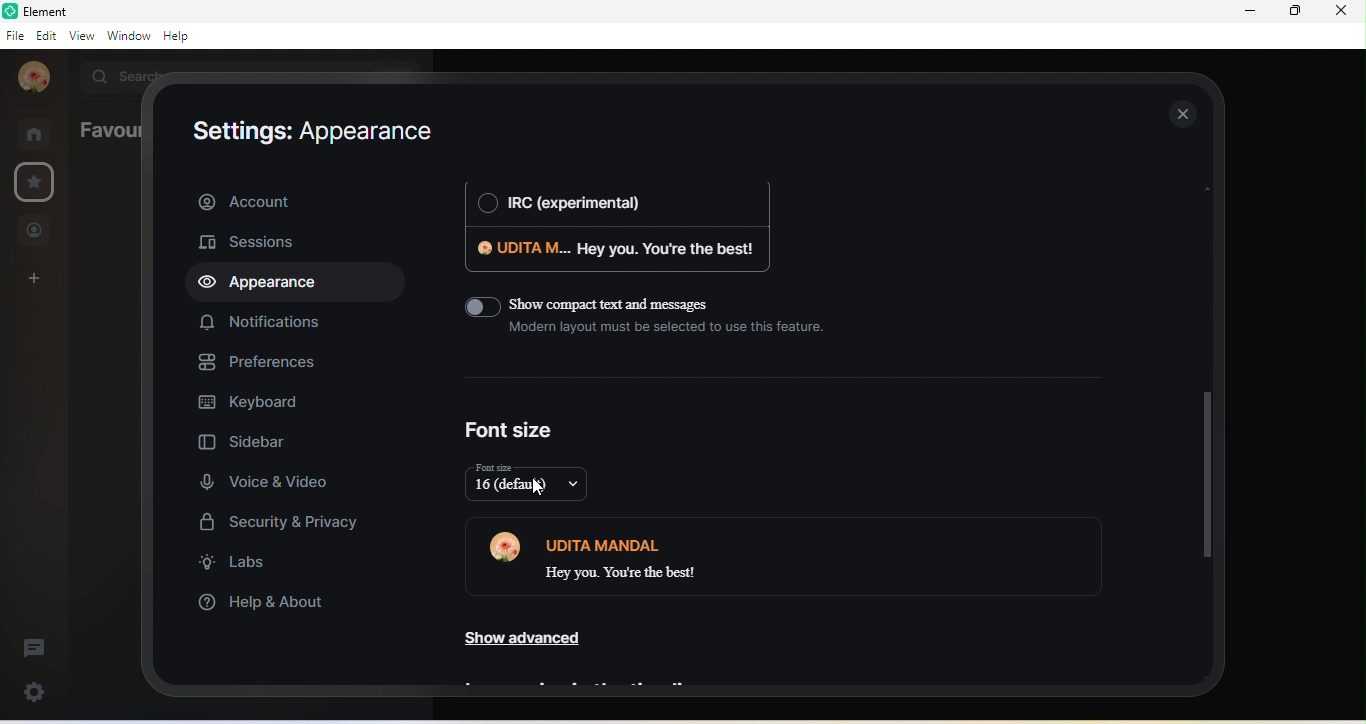 The width and height of the screenshot is (1366, 724). Describe the element at coordinates (613, 205) in the screenshot. I see `irc (experimental)` at that location.